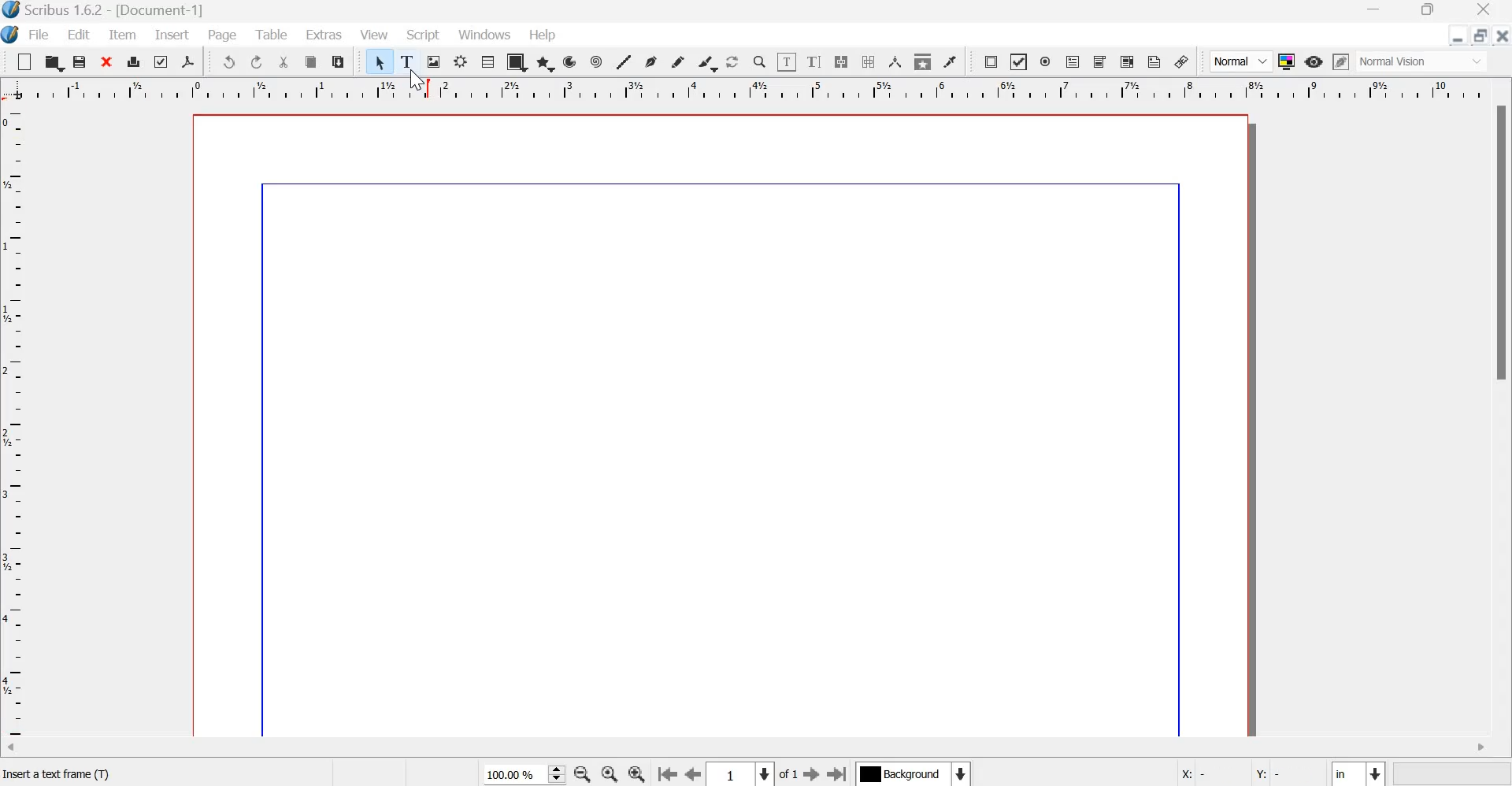 This screenshot has width=1512, height=786. I want to click on line, so click(623, 61).